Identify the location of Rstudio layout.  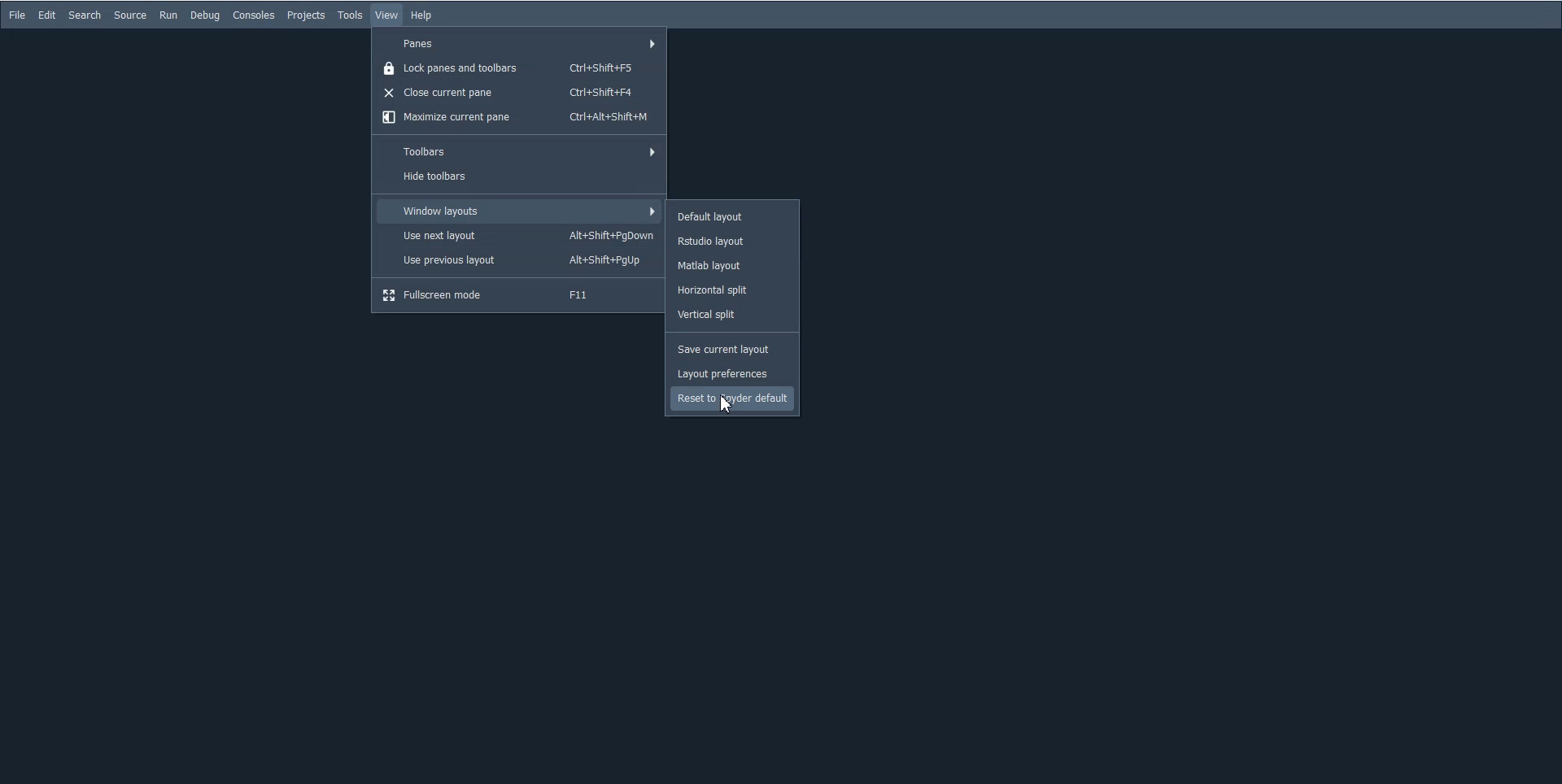
(733, 239).